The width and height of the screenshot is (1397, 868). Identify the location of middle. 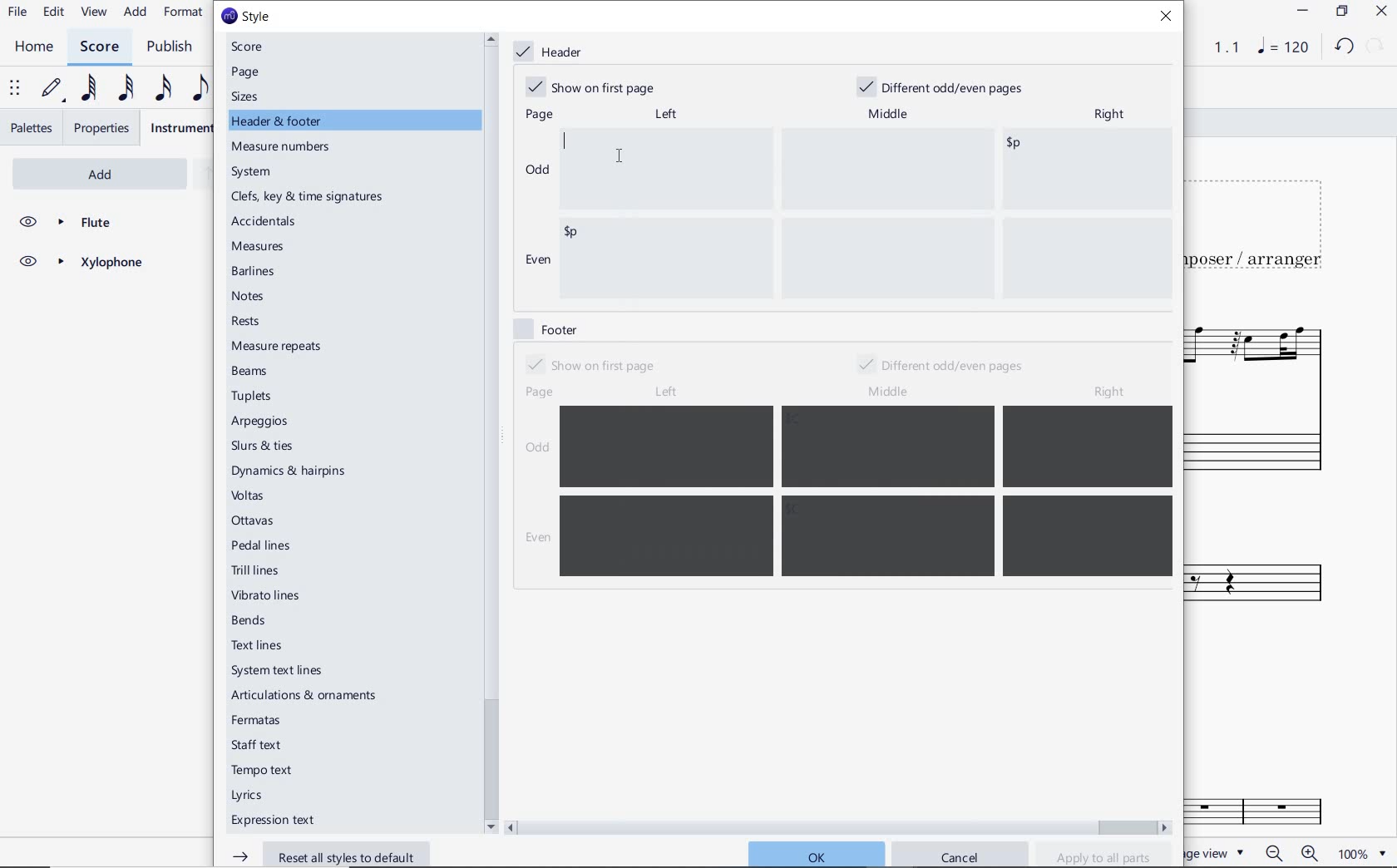
(891, 392).